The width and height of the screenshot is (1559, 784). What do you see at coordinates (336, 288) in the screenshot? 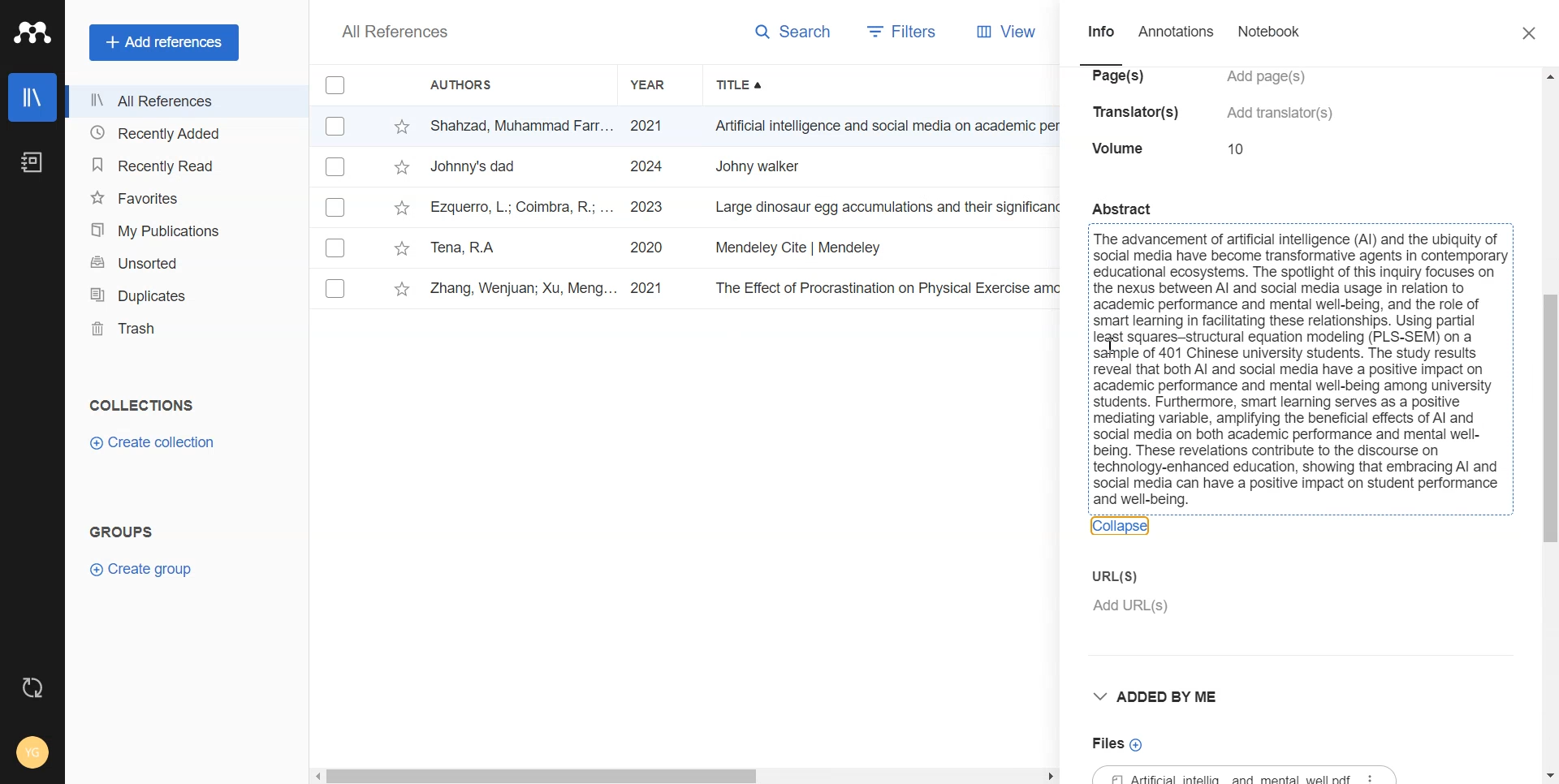
I see `Checkmarks` at bounding box center [336, 288].